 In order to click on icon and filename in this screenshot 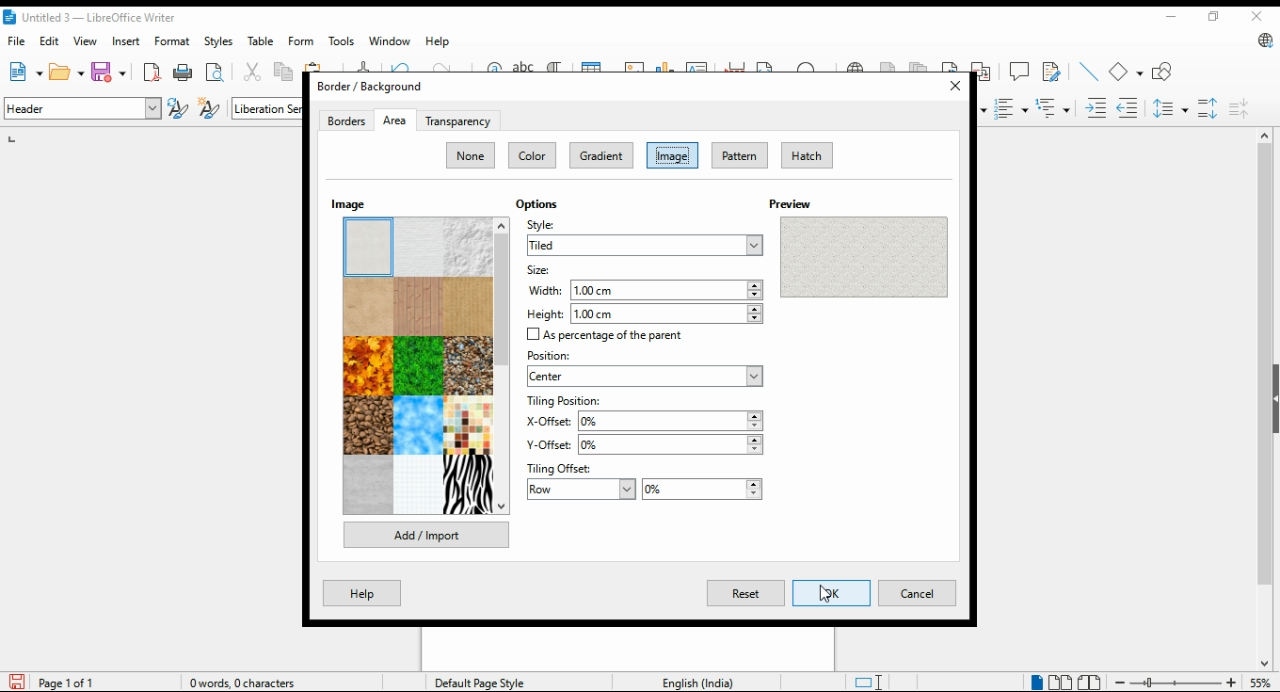, I will do `click(91, 19)`.